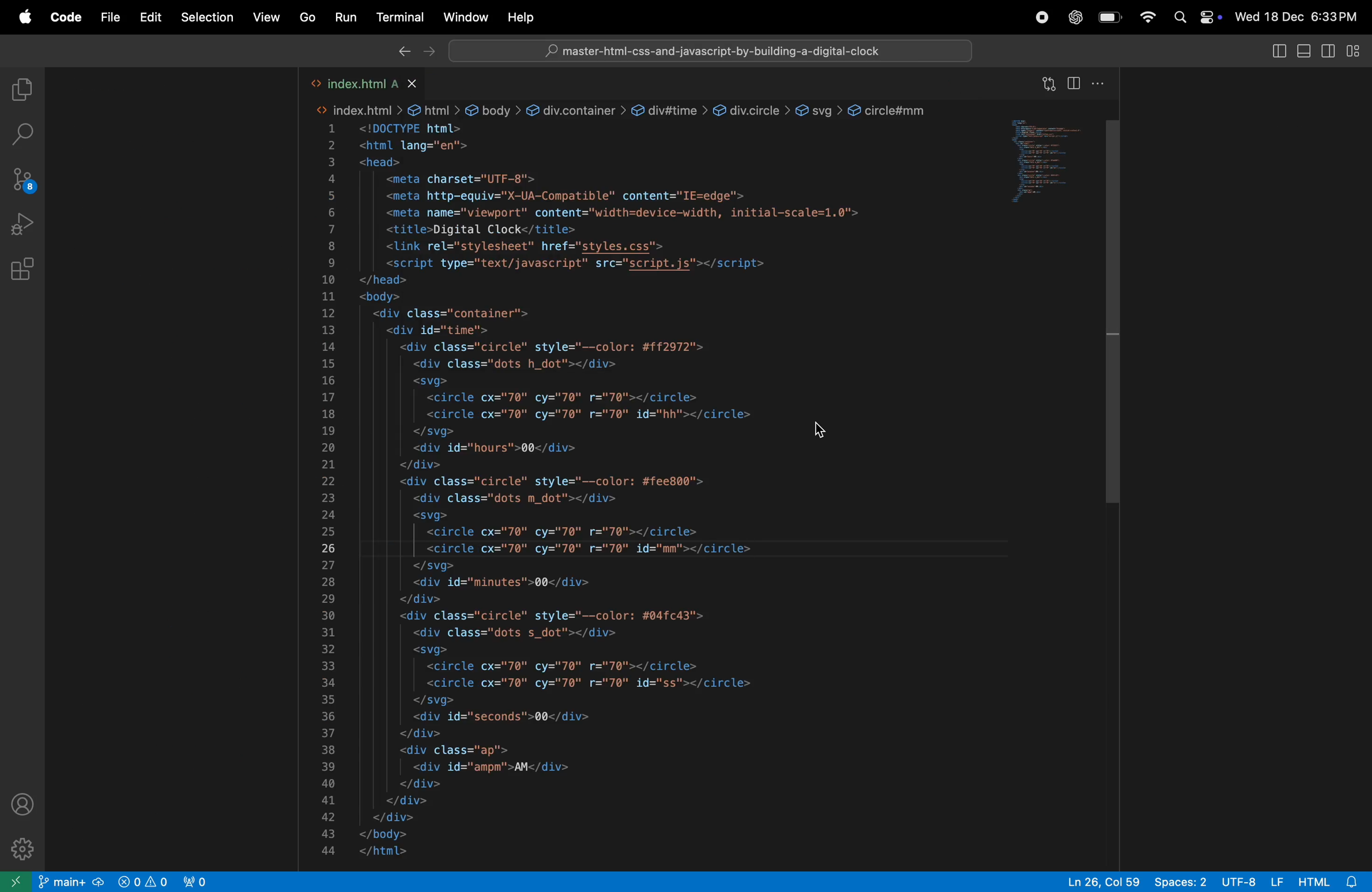  What do you see at coordinates (1073, 18) in the screenshot?
I see `chatgpt` at bounding box center [1073, 18].